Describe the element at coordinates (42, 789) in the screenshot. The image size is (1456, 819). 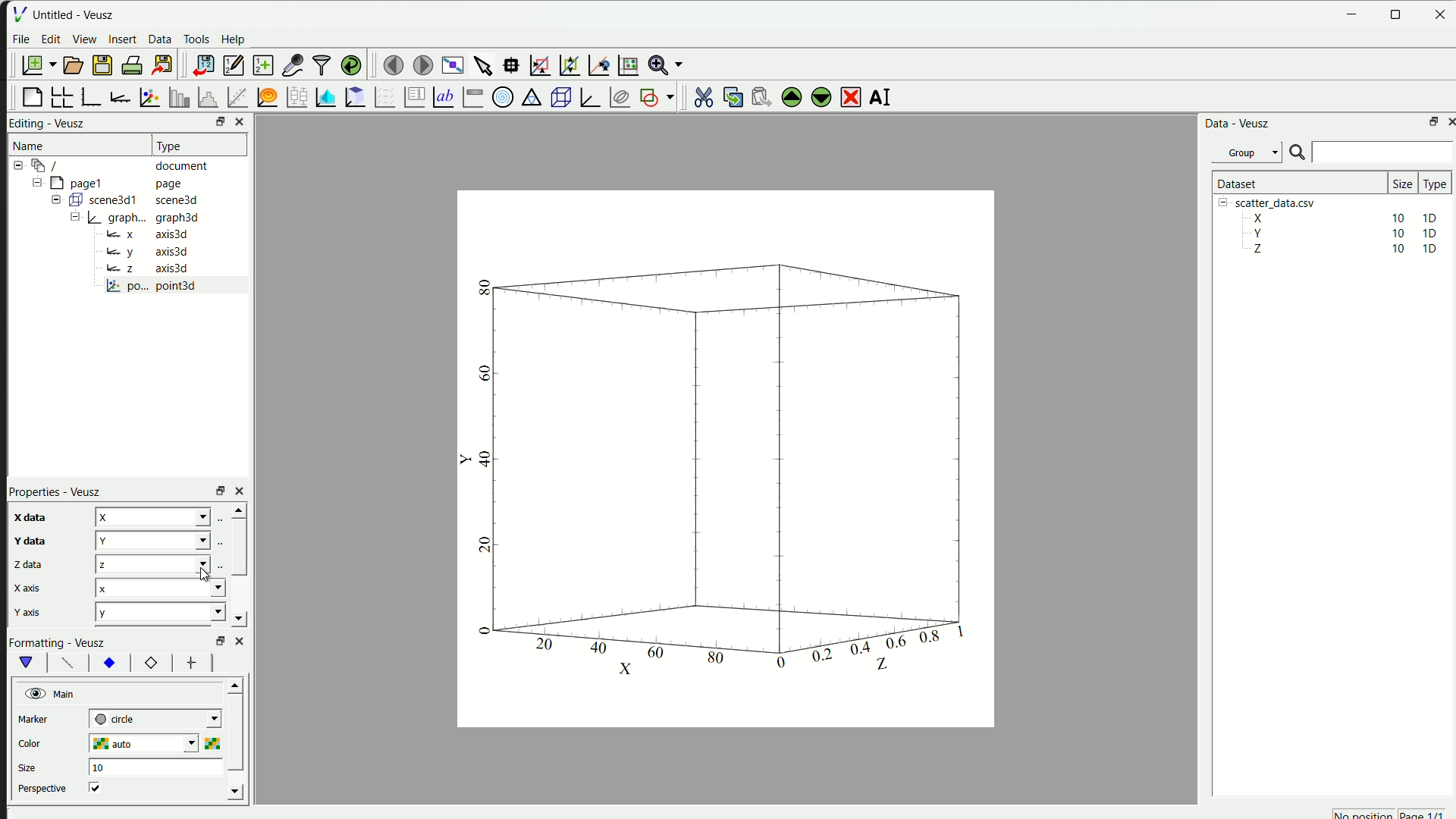
I see `perspective` at that location.